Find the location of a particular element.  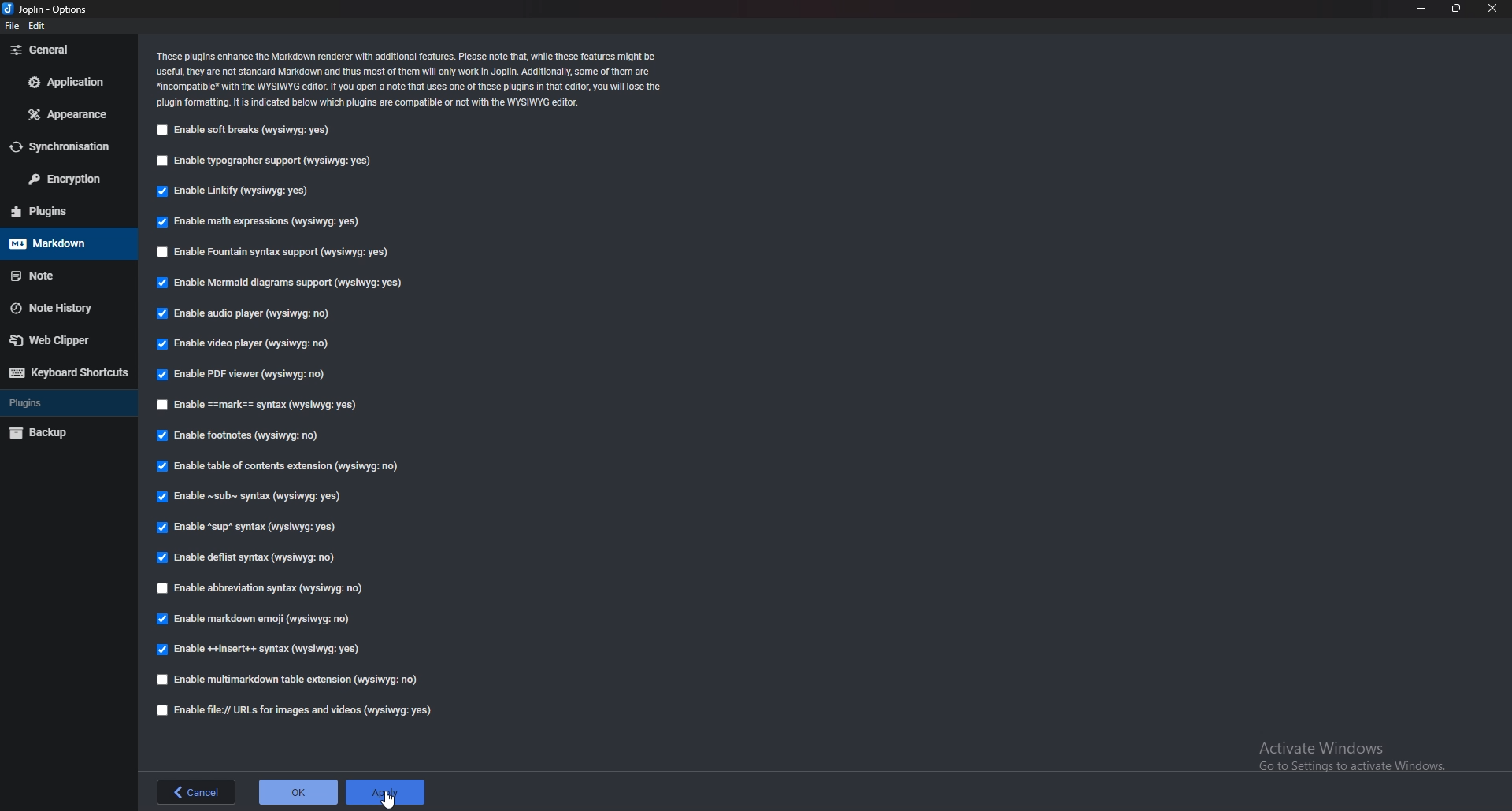

Keyboard shortcuts is located at coordinates (65, 373).